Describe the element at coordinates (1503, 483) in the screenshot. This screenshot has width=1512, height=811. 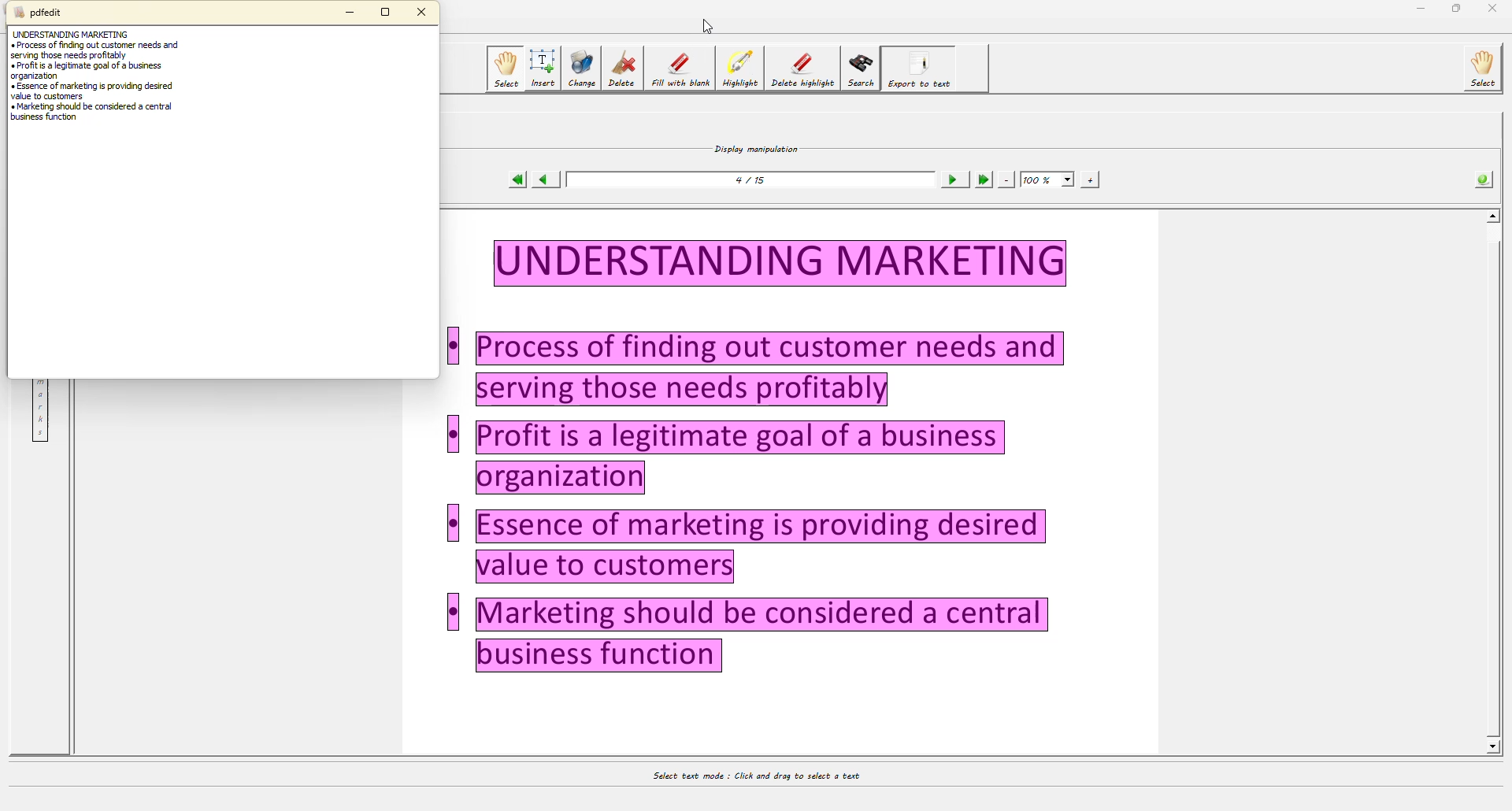
I see `slidebar` at that location.